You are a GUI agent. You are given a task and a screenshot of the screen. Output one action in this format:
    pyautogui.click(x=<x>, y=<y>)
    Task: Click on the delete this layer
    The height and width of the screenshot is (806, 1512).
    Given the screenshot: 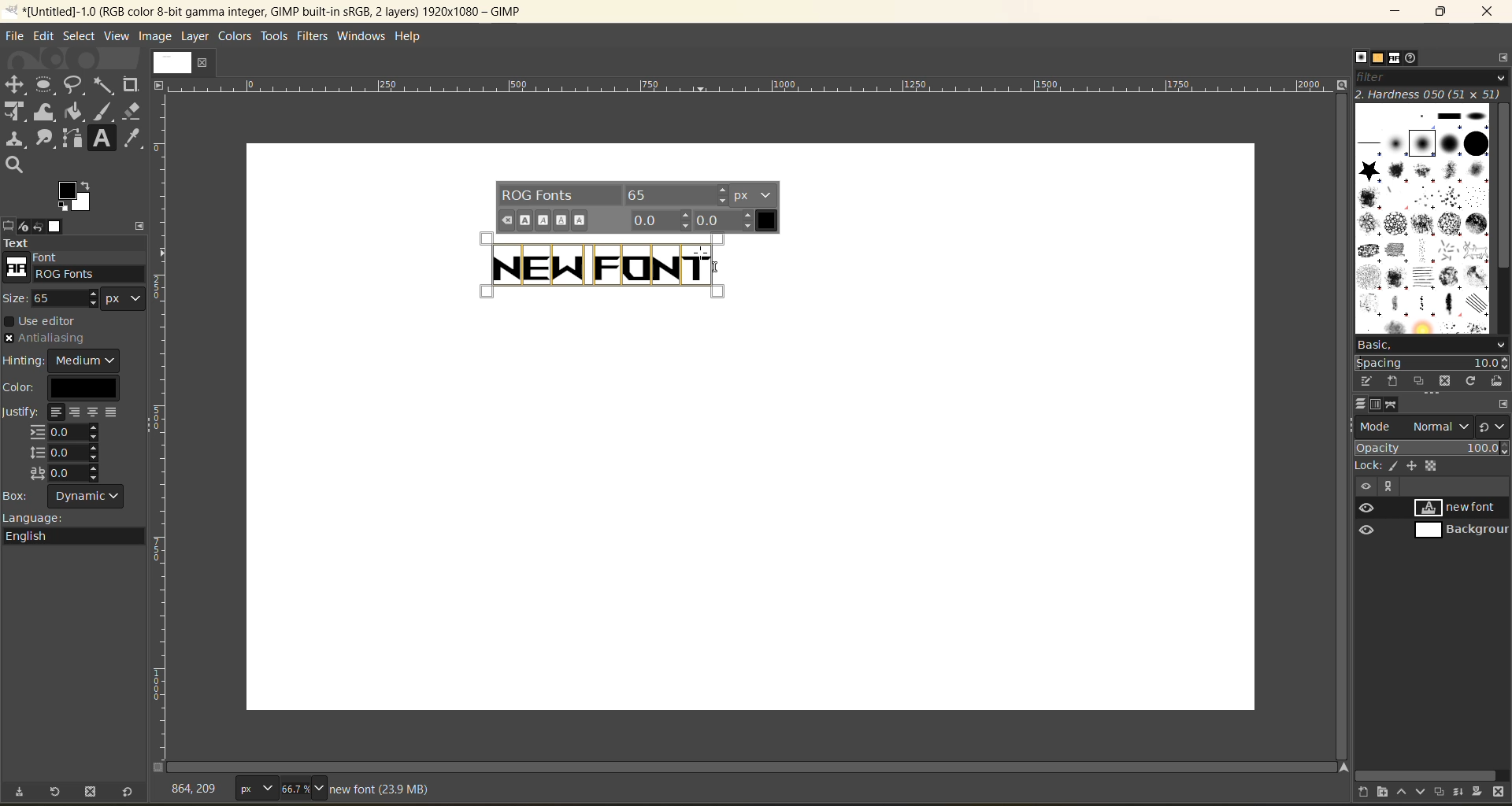 What is the action you would take?
    pyautogui.click(x=1499, y=793)
    